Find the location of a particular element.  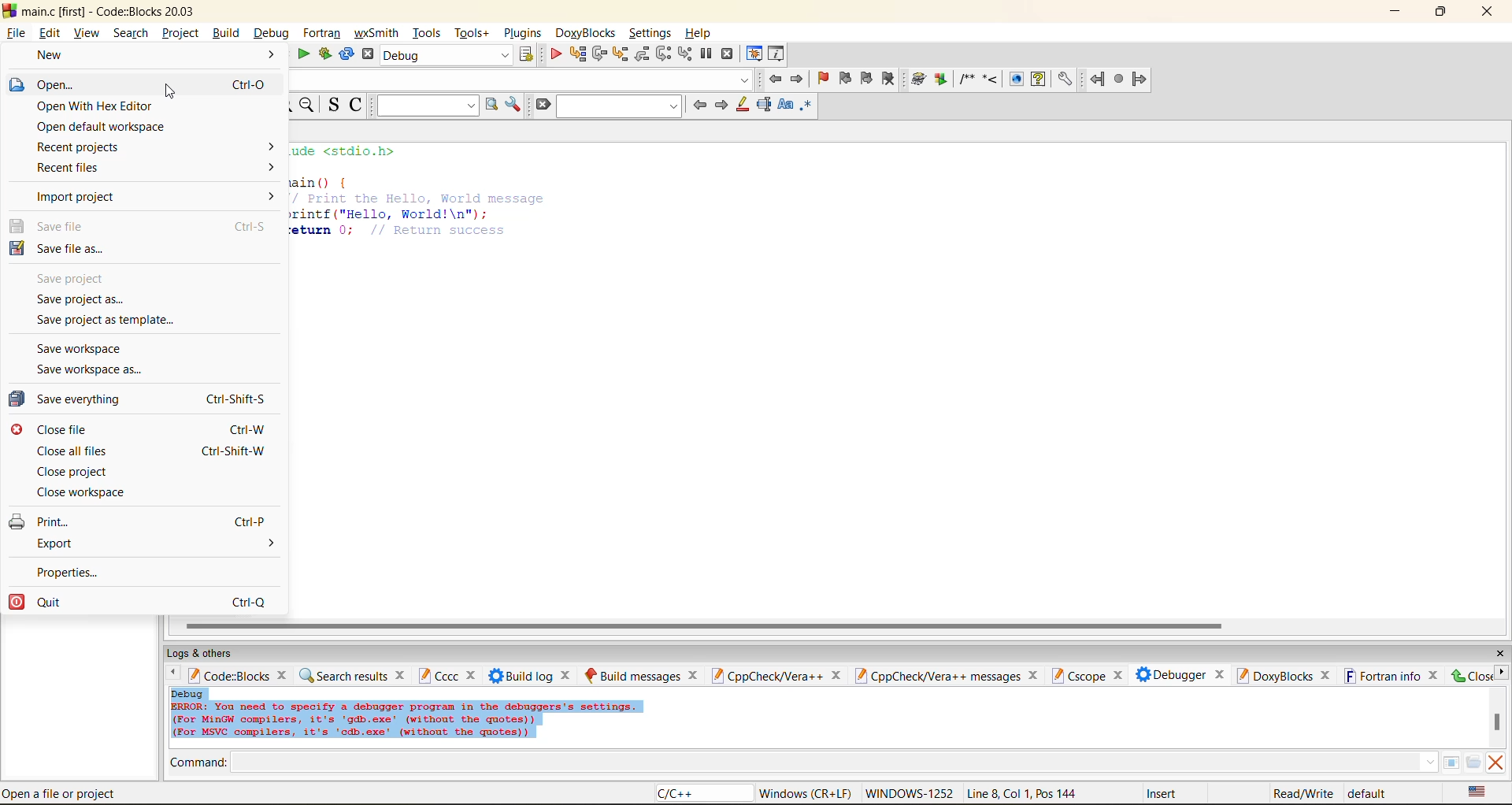

doxyblocks is located at coordinates (588, 33).